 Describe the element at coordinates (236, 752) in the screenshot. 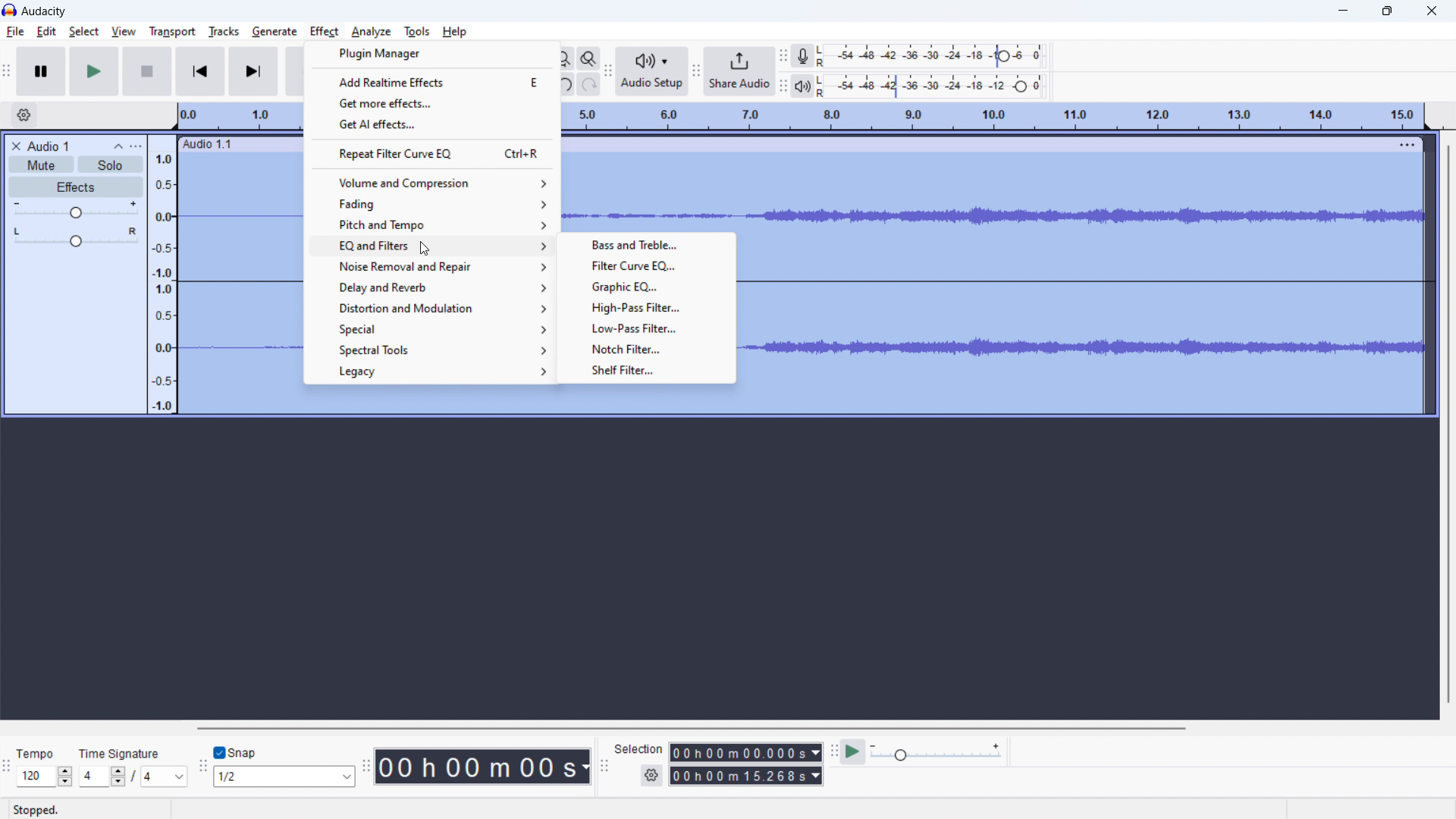

I see `snap toggle` at that location.